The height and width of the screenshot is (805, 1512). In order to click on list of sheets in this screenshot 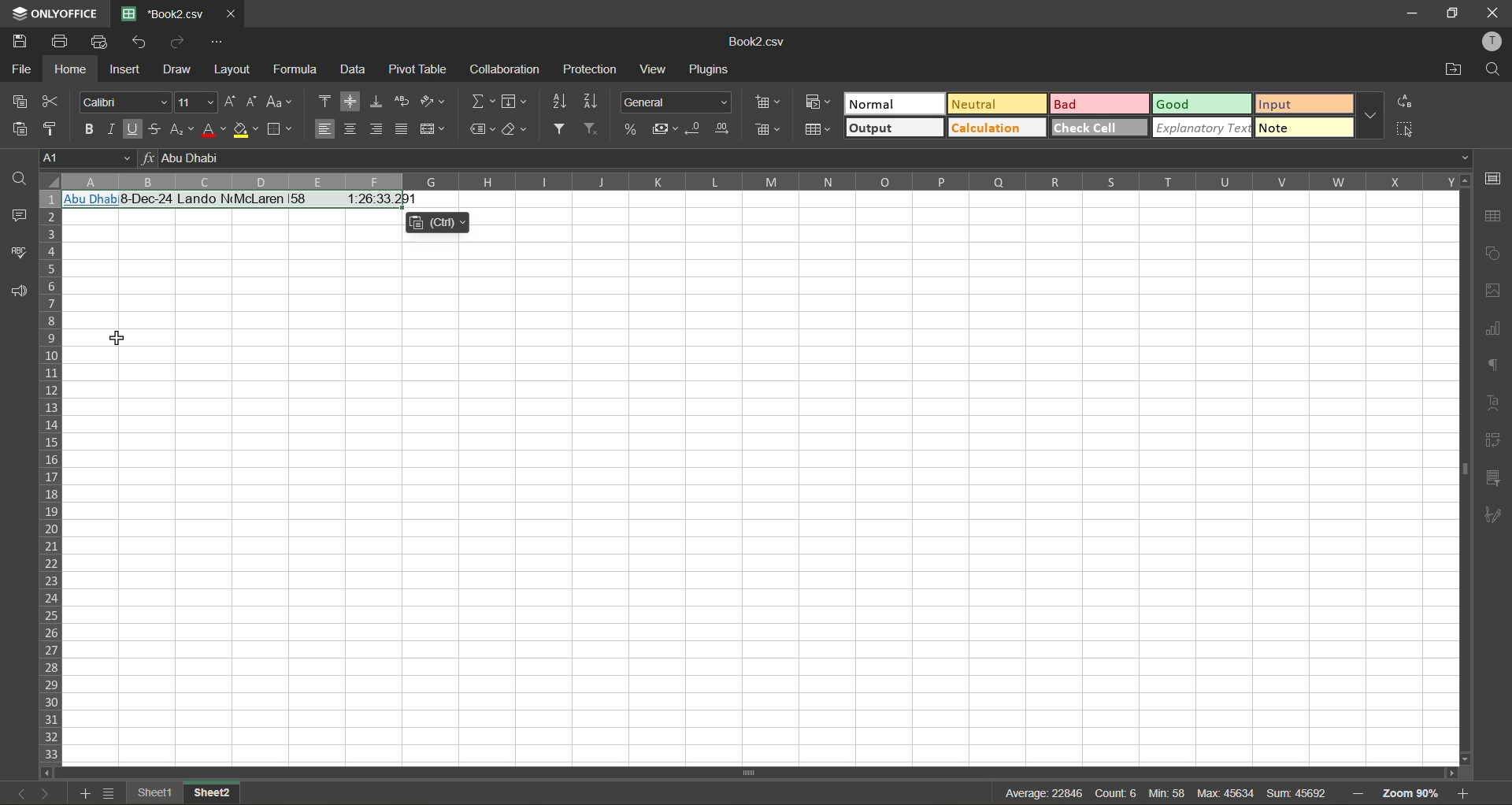, I will do `click(110, 793)`.